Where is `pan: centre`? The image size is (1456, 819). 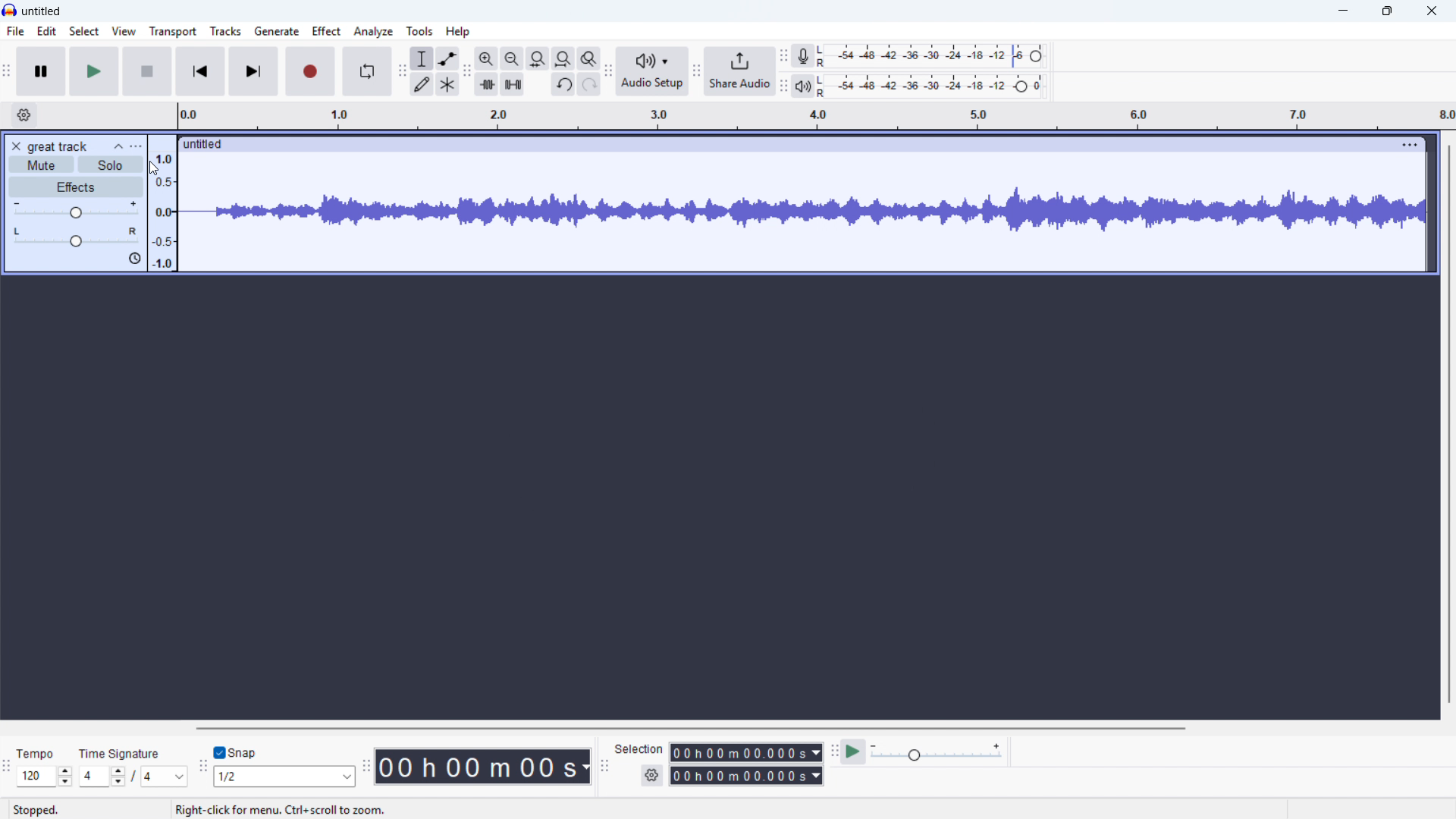
pan: centre is located at coordinates (77, 237).